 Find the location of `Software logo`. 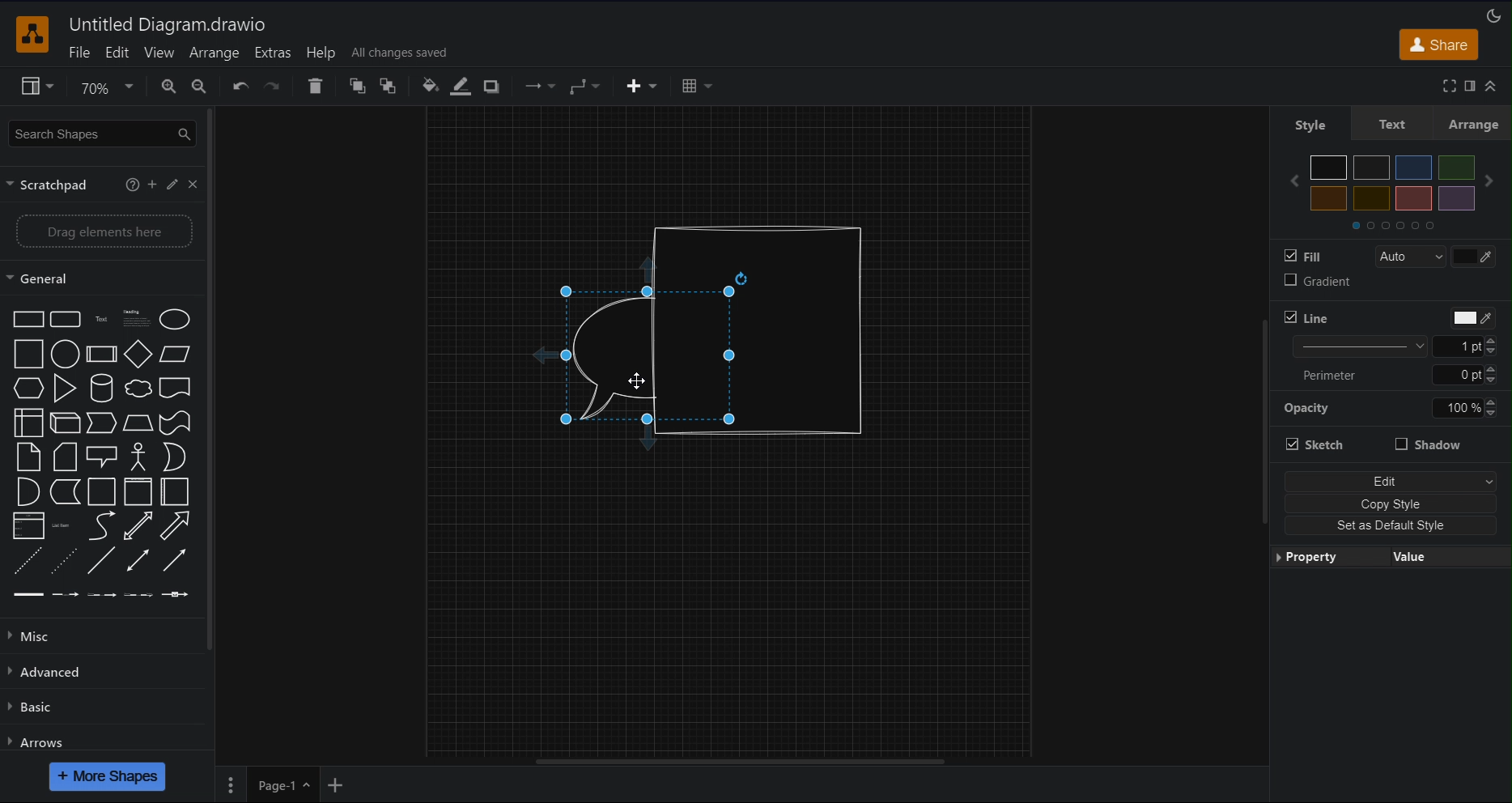

Software logo is located at coordinates (32, 35).